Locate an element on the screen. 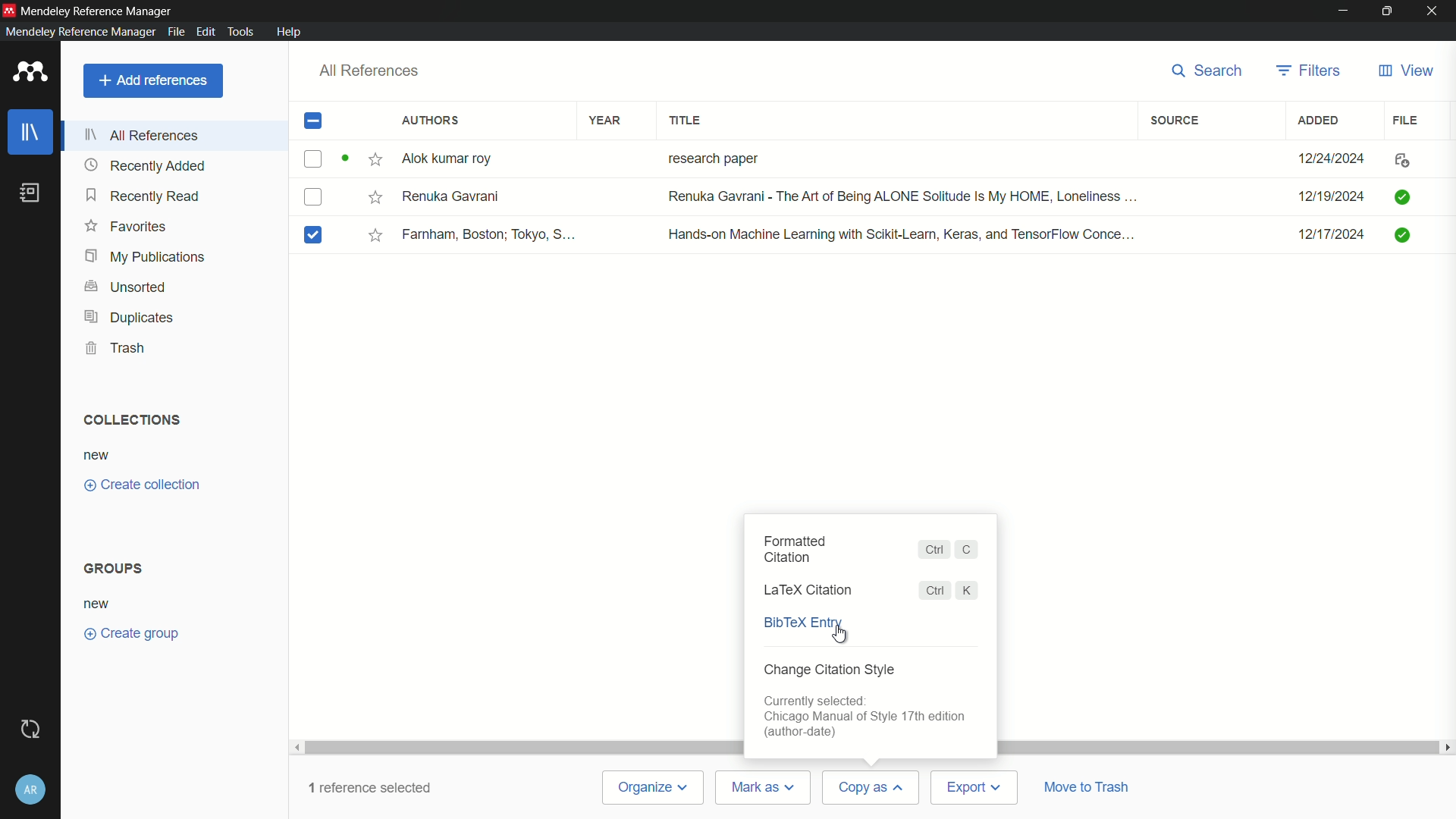 Image resolution: width=1456 pixels, height=819 pixels. favorites is located at coordinates (124, 227).